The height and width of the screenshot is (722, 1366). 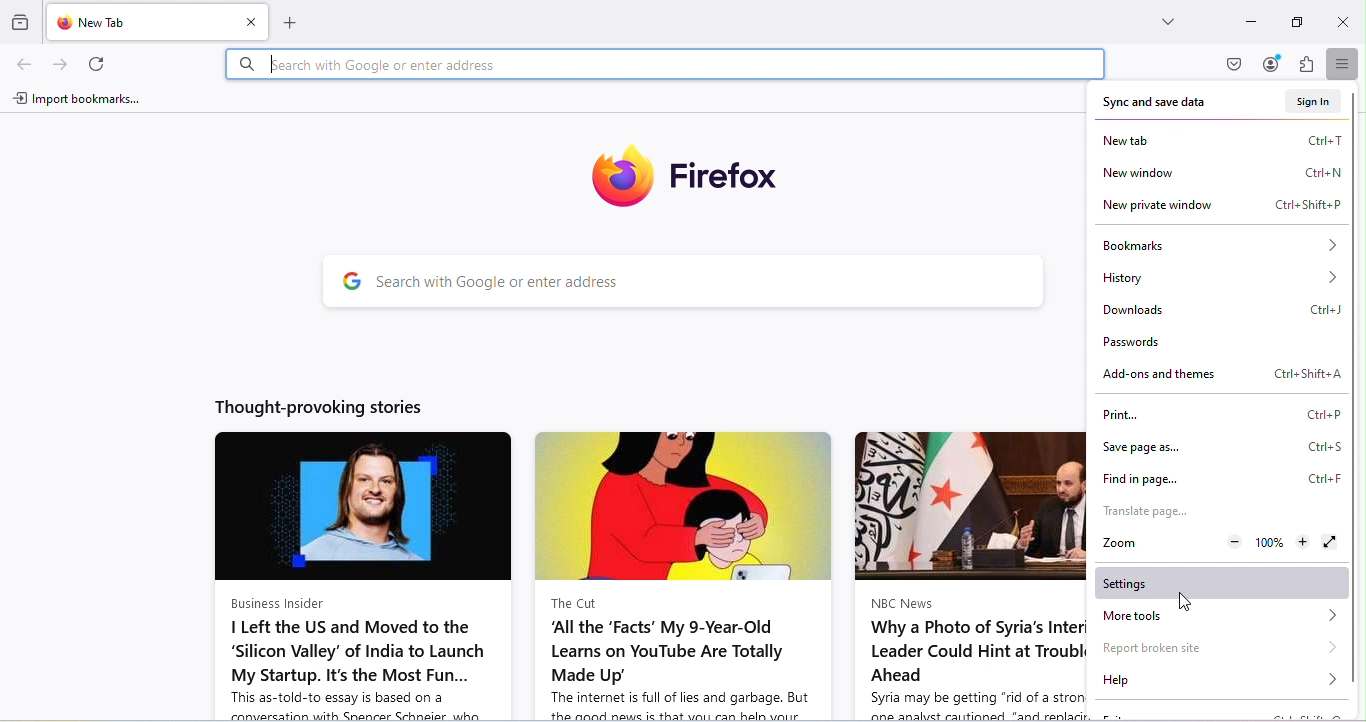 What do you see at coordinates (22, 18) in the screenshot?
I see `View recent browsing across windows and devices` at bounding box center [22, 18].